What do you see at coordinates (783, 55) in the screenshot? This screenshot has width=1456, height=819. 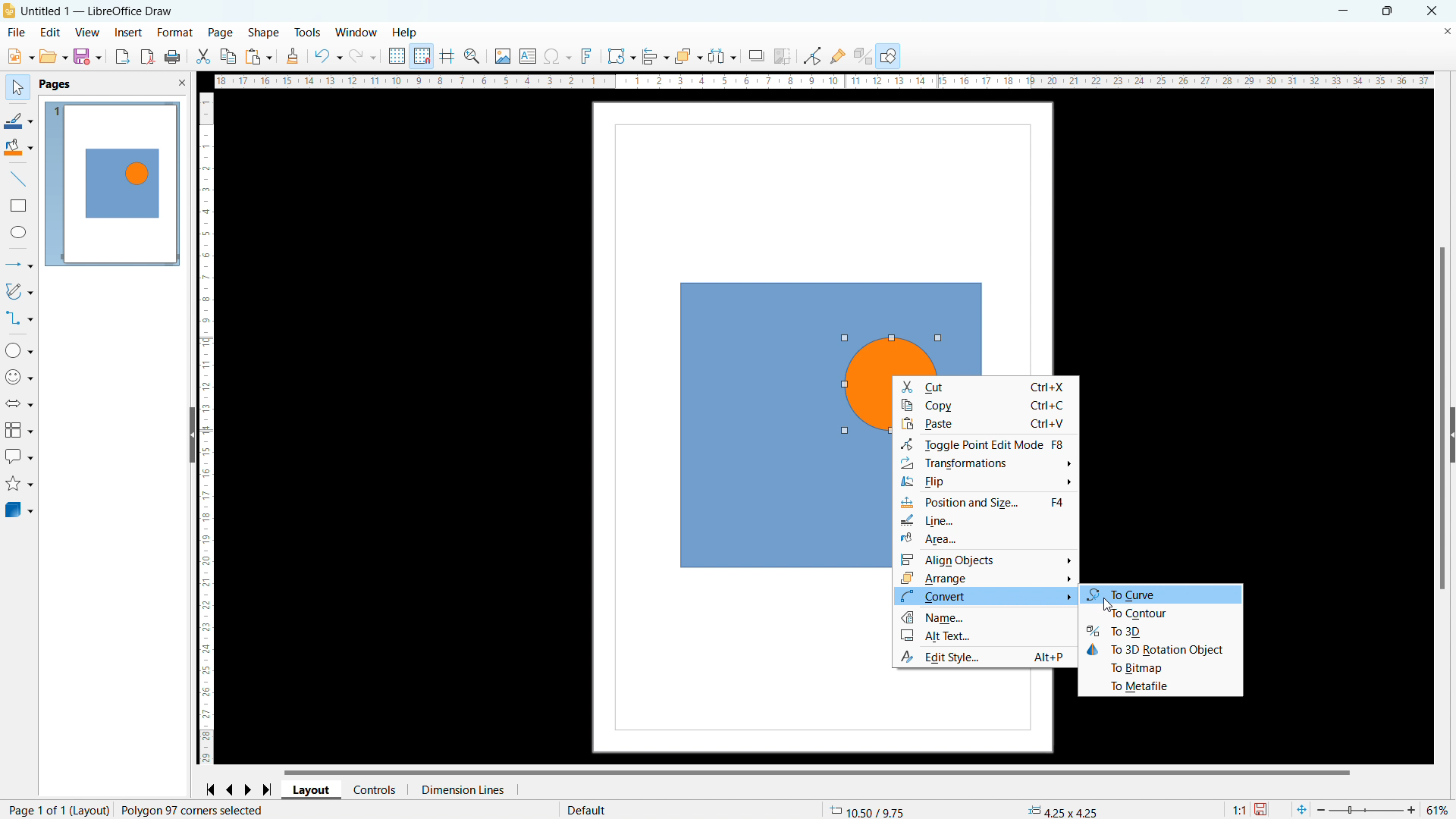 I see `crop image` at bounding box center [783, 55].